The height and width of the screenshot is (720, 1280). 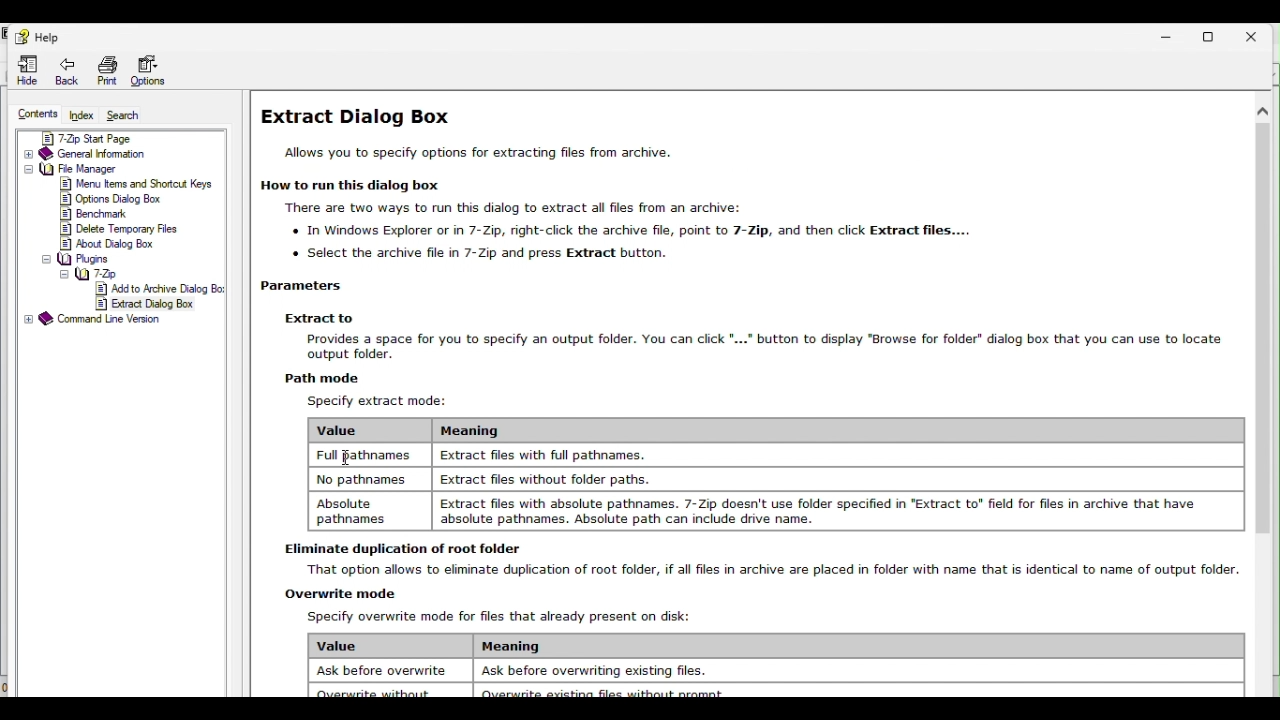 I want to click on Options, so click(x=153, y=69).